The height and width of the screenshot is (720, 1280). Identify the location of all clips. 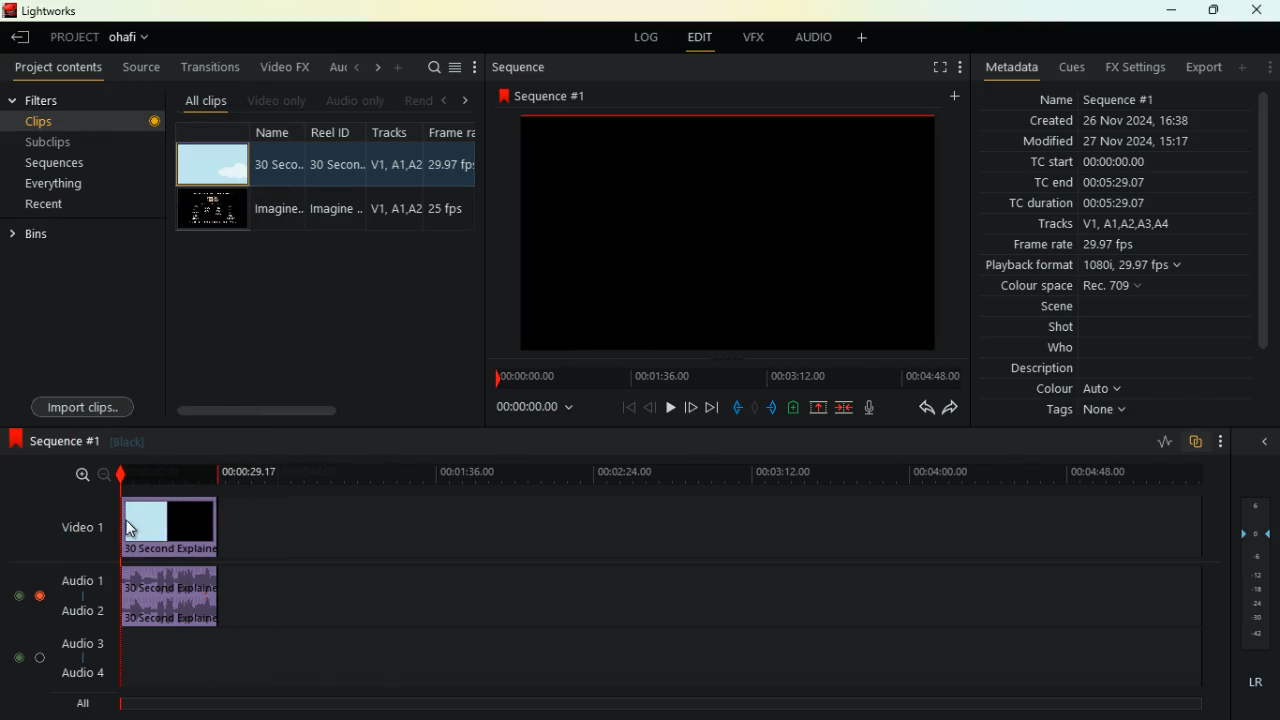
(210, 101).